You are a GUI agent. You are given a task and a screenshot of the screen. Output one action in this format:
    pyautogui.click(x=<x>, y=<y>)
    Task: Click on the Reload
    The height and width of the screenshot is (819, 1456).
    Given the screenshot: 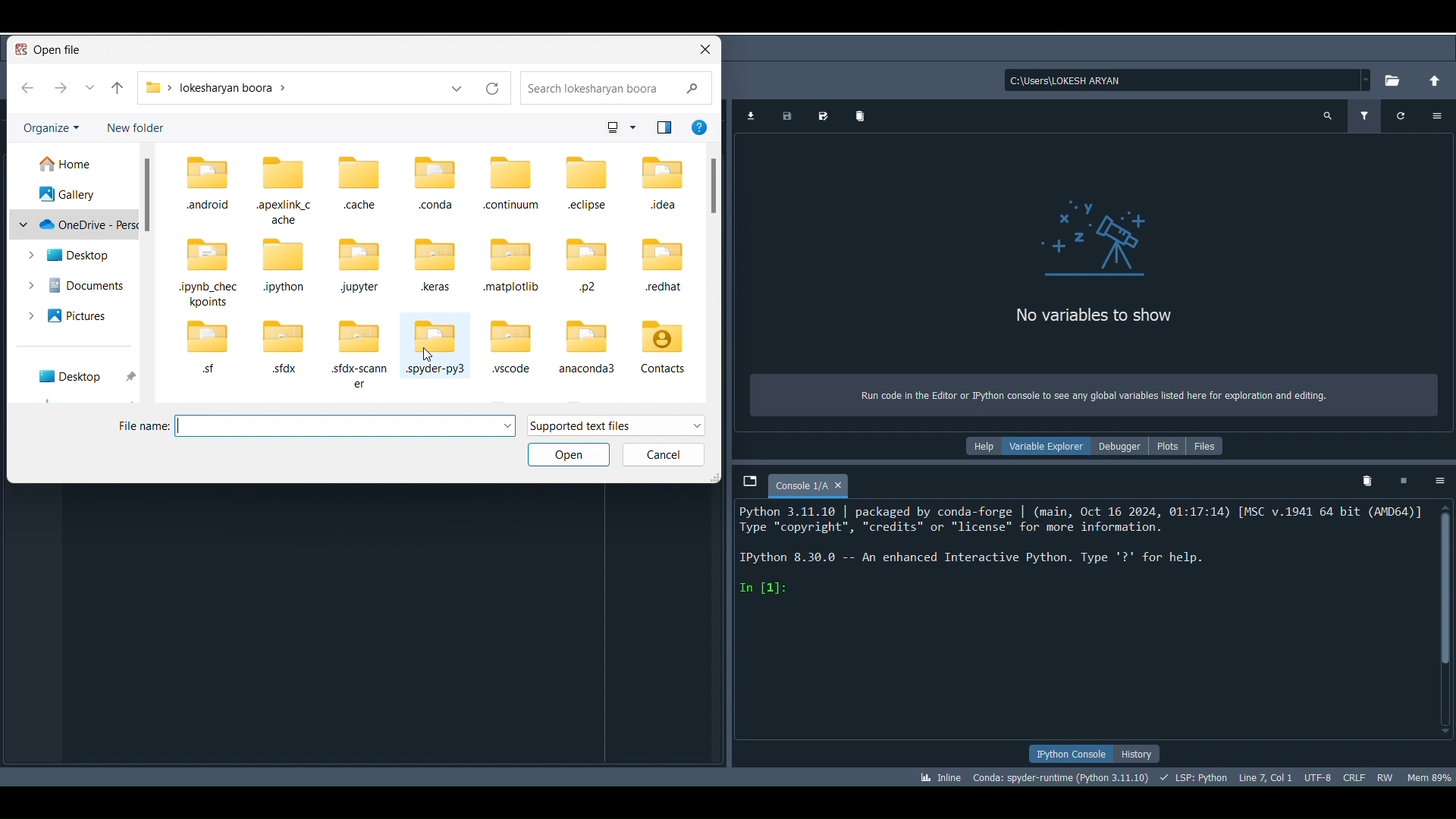 What is the action you would take?
    pyautogui.click(x=493, y=88)
    